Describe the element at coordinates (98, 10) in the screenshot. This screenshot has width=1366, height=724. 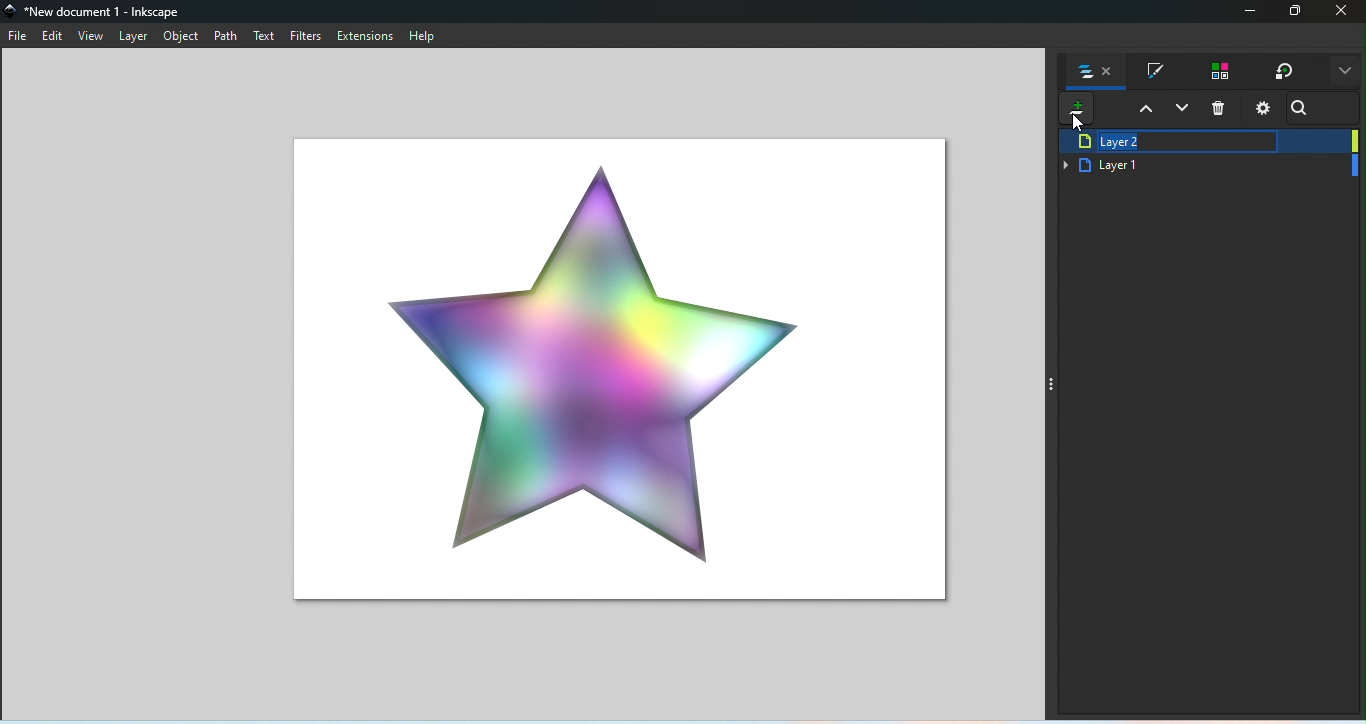
I see `File name` at that location.